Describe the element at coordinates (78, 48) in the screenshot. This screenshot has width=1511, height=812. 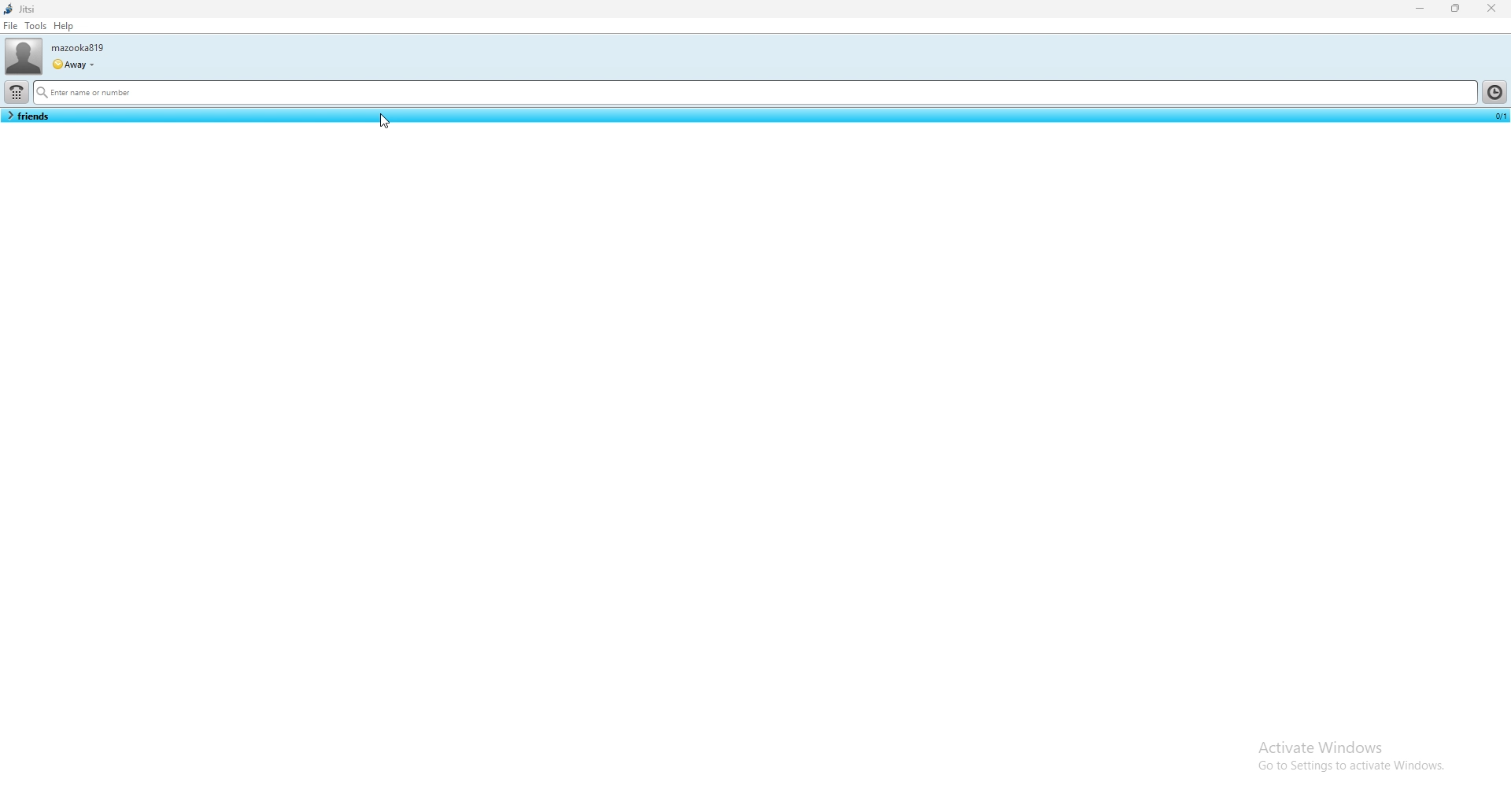
I see `username` at that location.